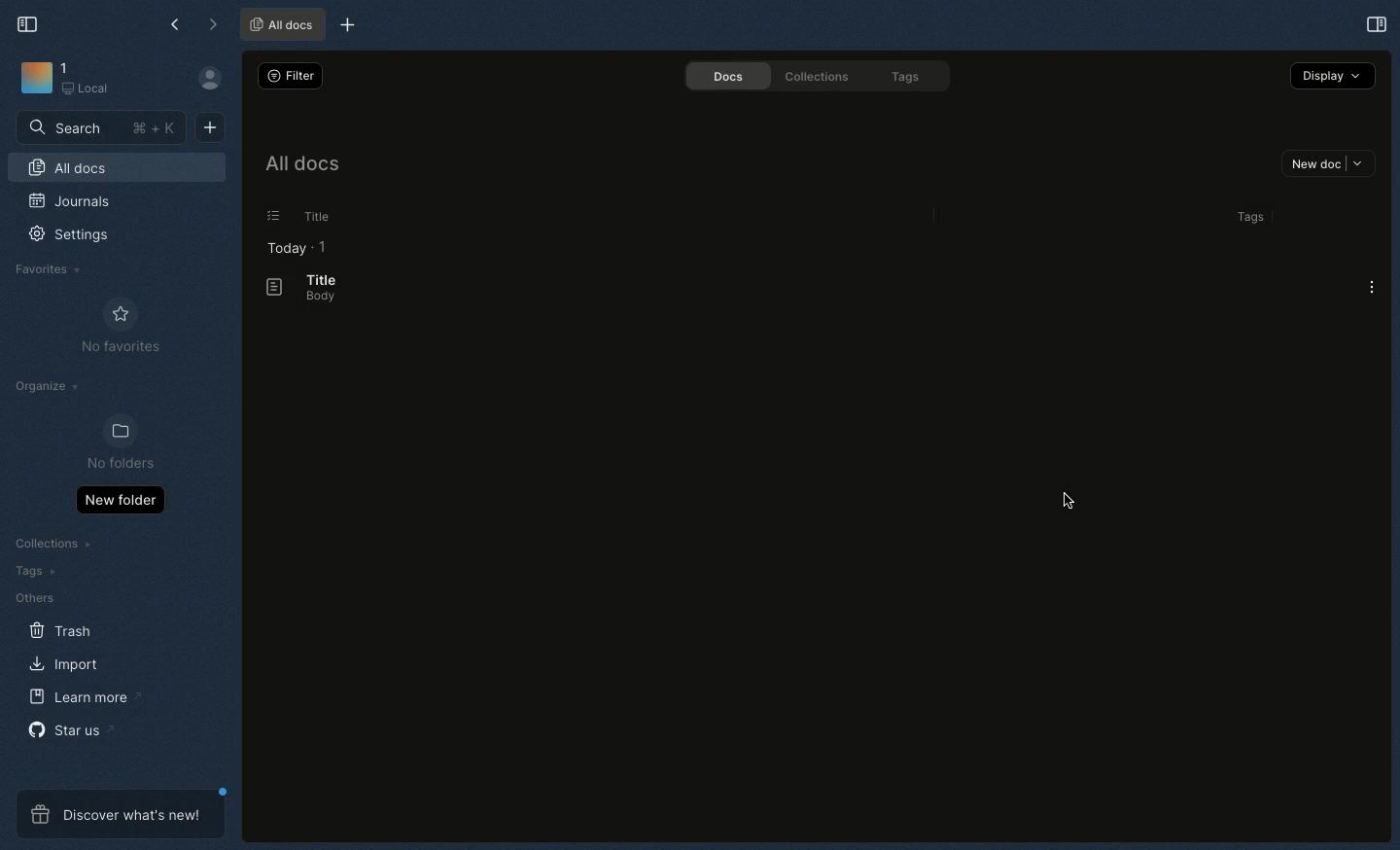  I want to click on Docs, so click(720, 76).